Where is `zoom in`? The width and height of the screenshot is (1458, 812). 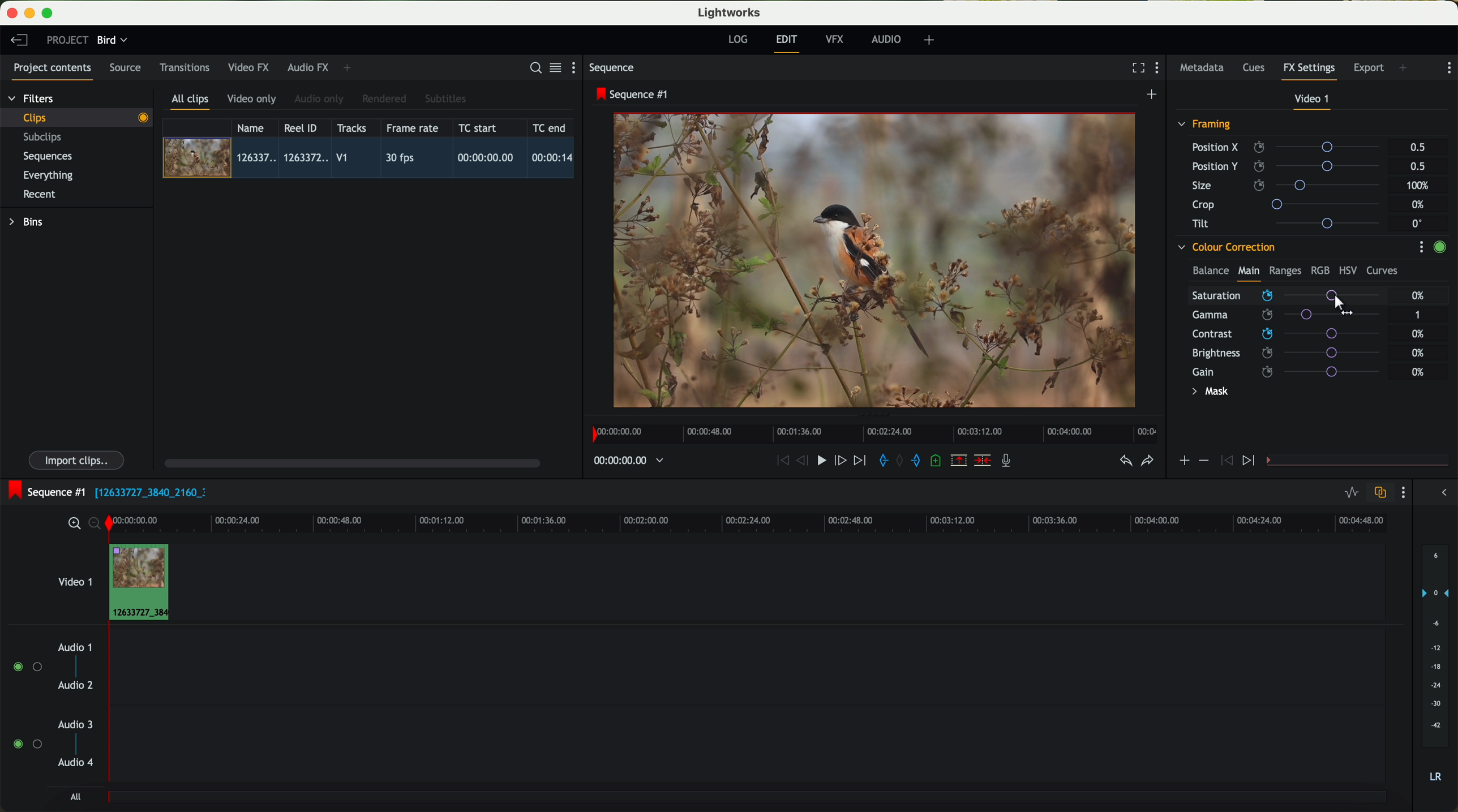 zoom in is located at coordinates (72, 524).